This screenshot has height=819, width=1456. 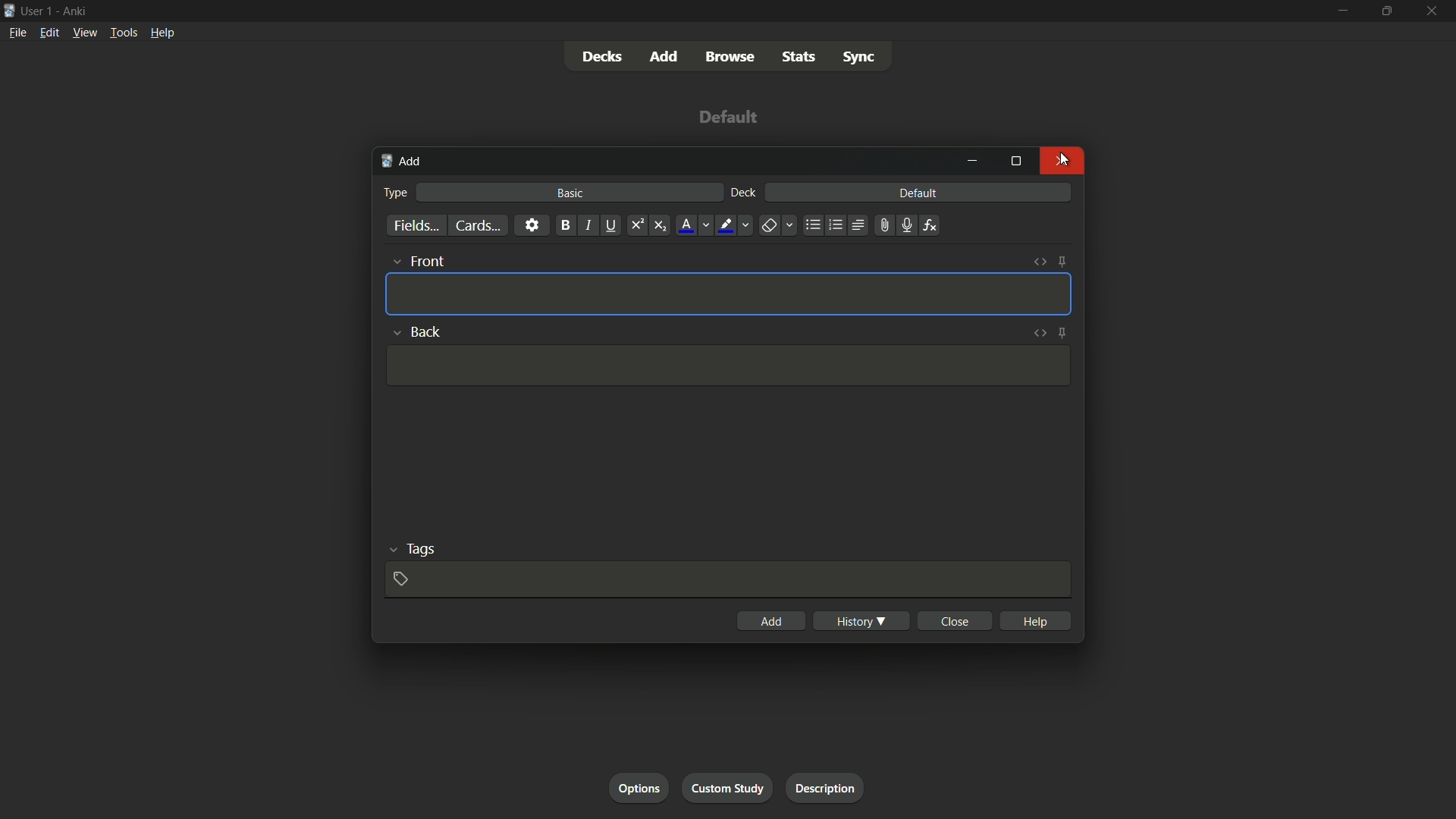 What do you see at coordinates (918, 193) in the screenshot?
I see `default` at bounding box center [918, 193].